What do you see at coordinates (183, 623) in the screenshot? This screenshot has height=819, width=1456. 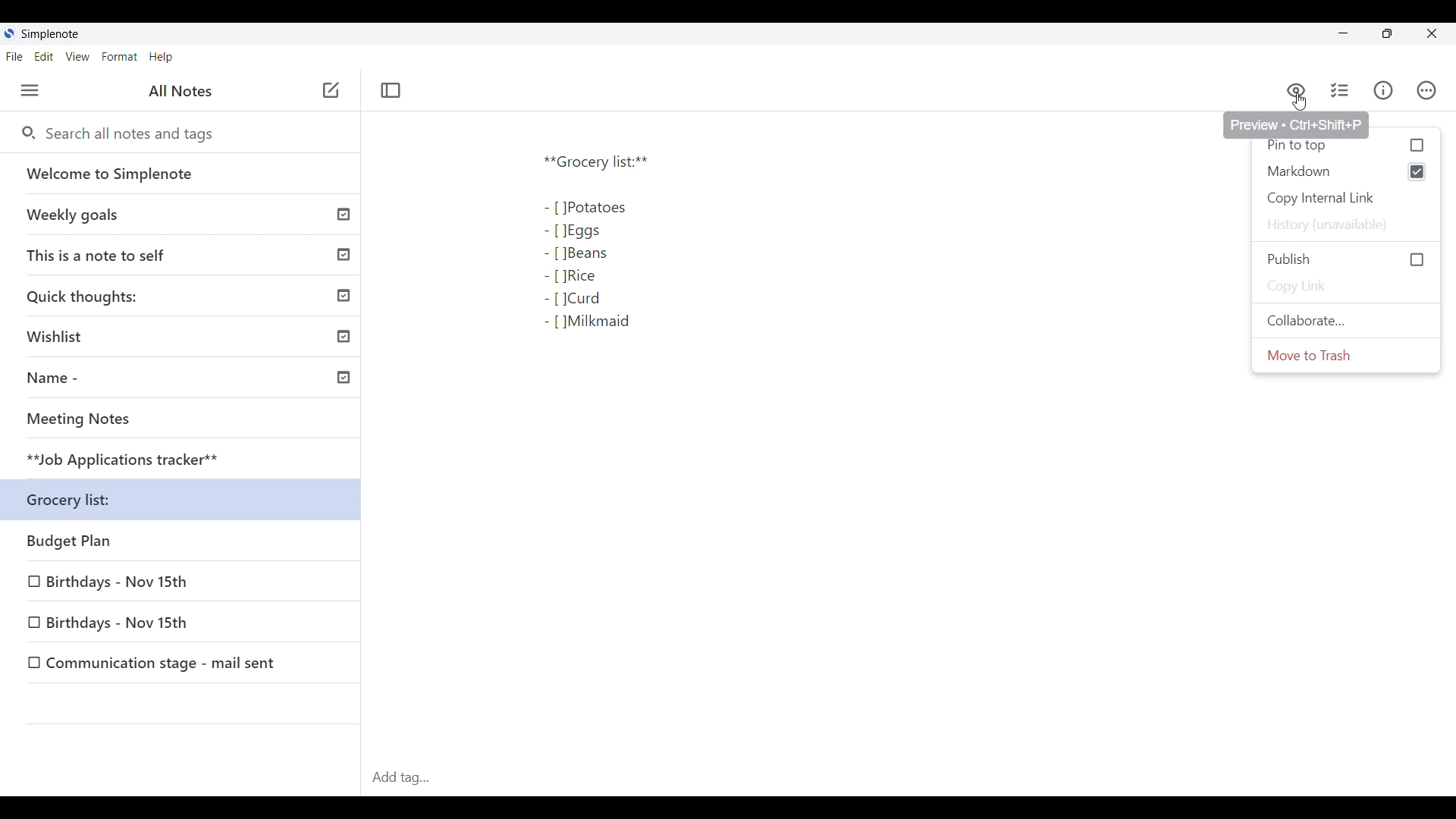 I see `Birthdays - Nov 15th` at bounding box center [183, 623].